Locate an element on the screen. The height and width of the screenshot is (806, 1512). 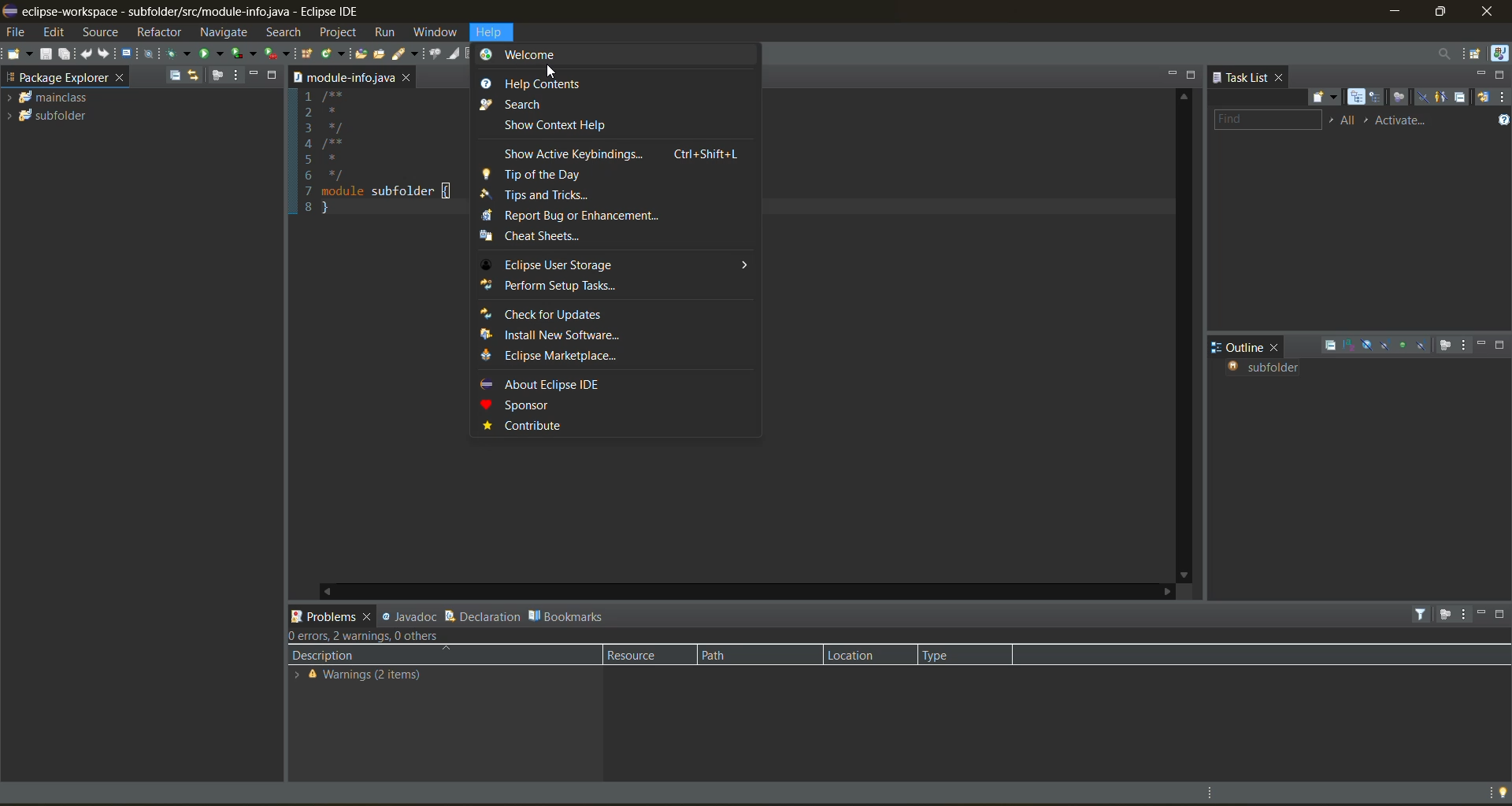
eclipse user storage is located at coordinates (613, 266).